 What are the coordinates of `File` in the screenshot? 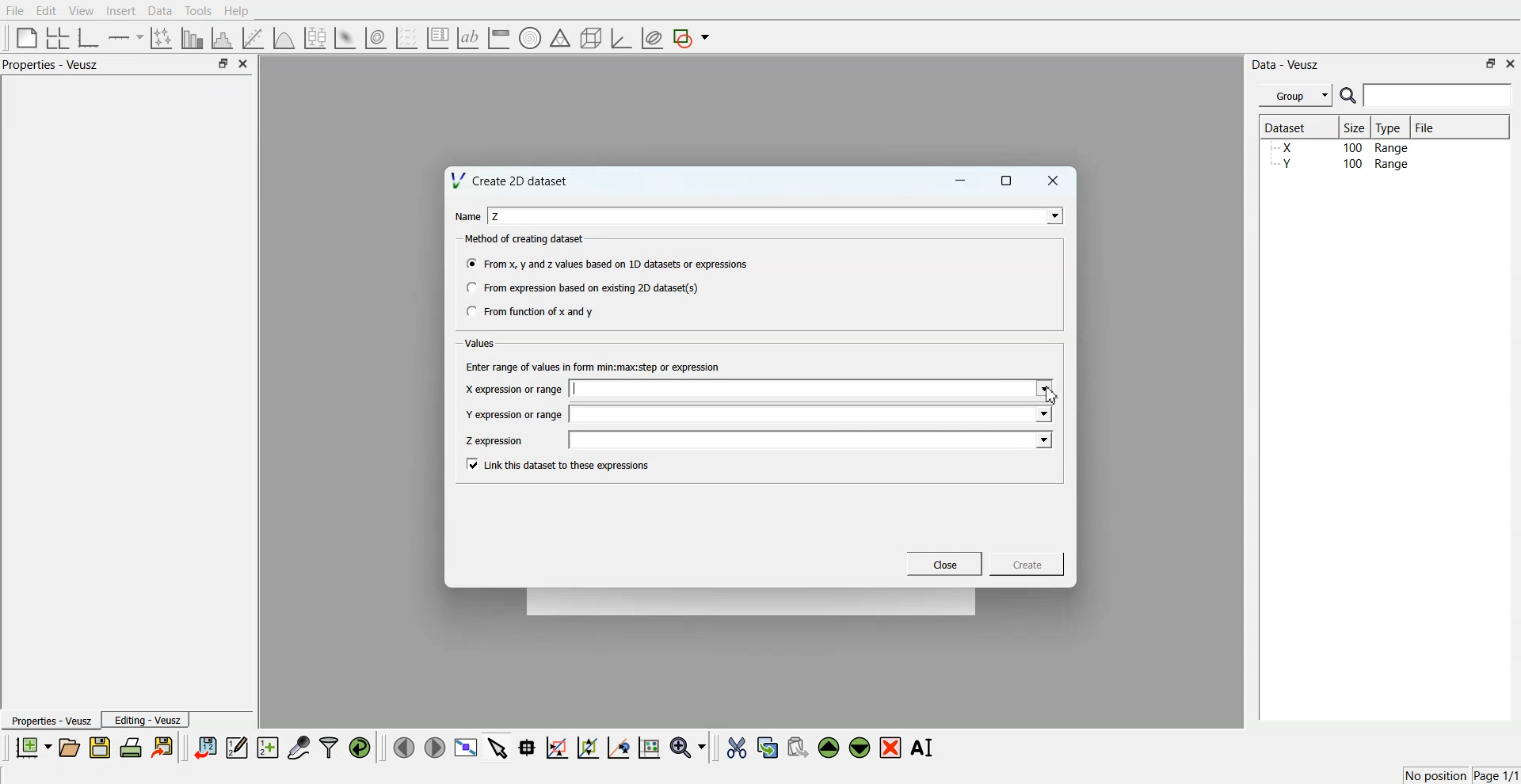 It's located at (1427, 127).